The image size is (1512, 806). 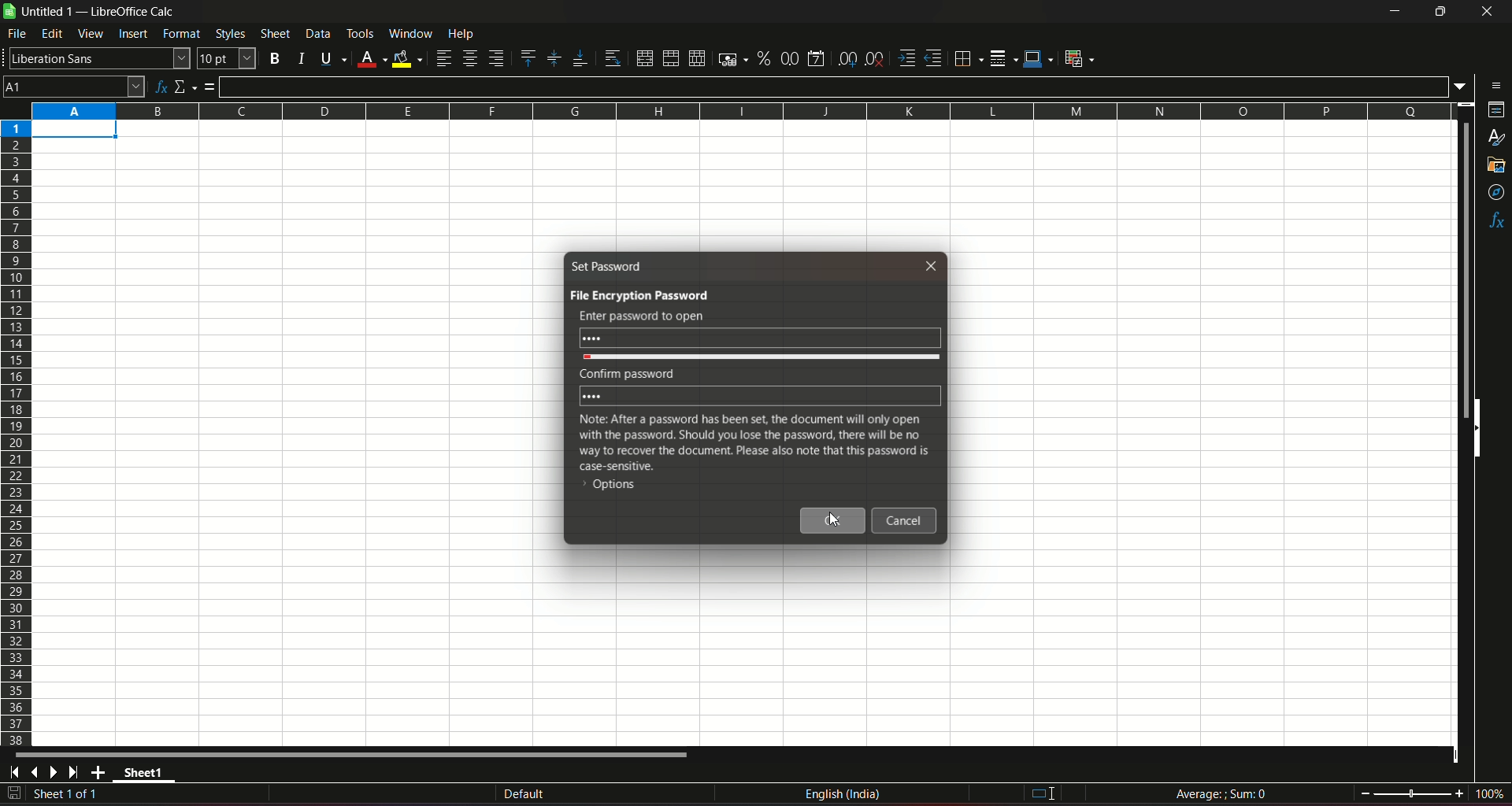 What do you see at coordinates (1494, 112) in the screenshot?
I see `properties` at bounding box center [1494, 112].